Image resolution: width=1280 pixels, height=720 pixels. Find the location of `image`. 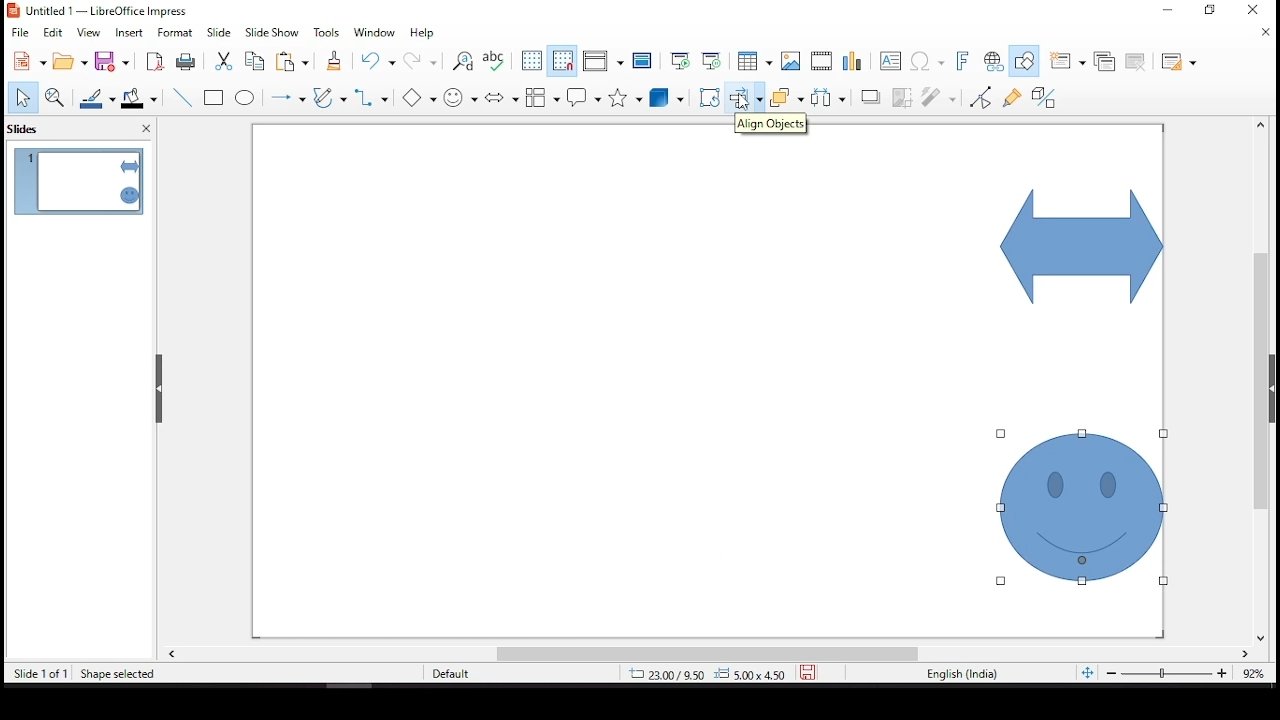

image is located at coordinates (791, 60).